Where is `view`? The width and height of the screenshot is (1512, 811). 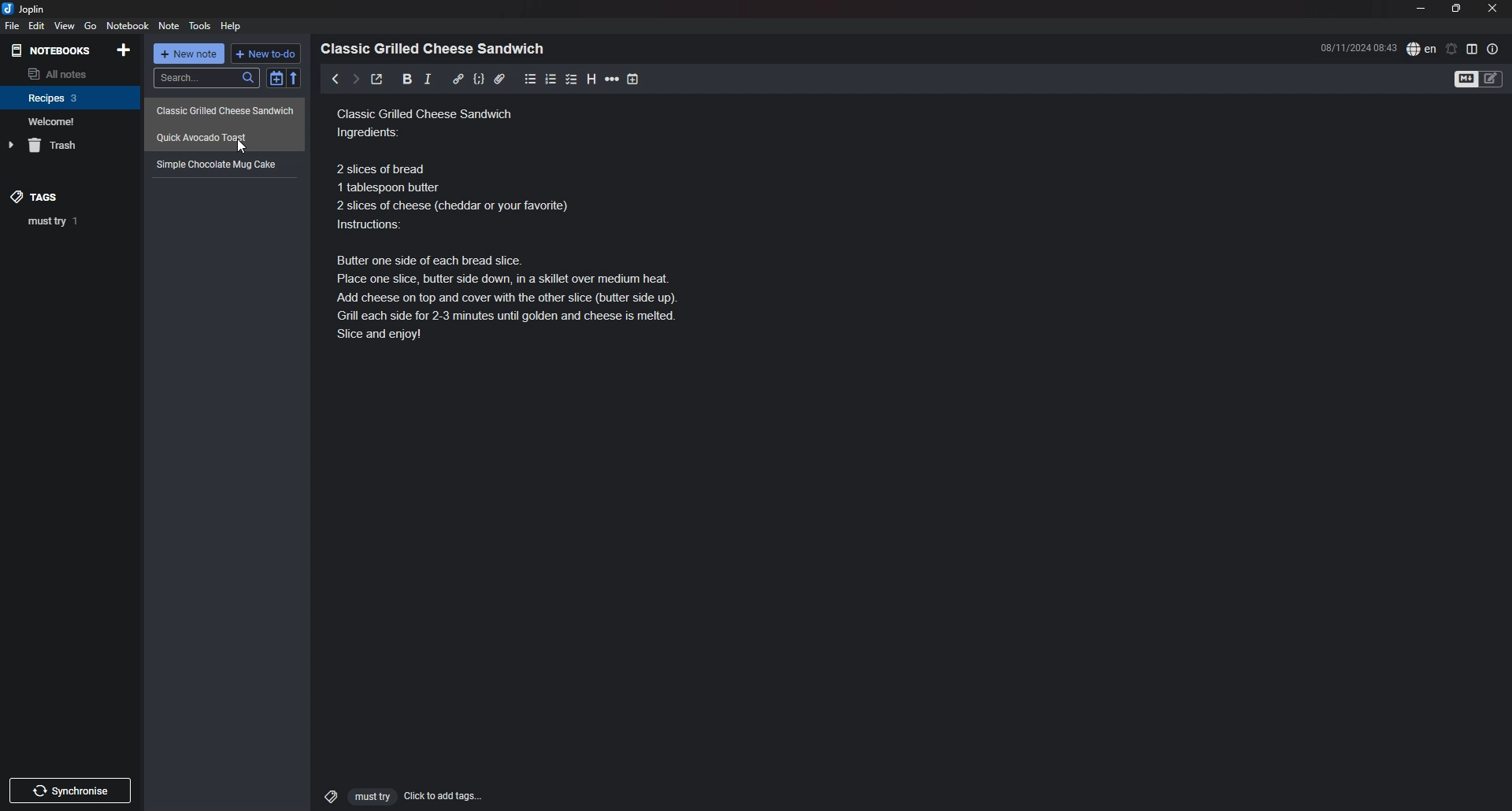 view is located at coordinates (64, 26).